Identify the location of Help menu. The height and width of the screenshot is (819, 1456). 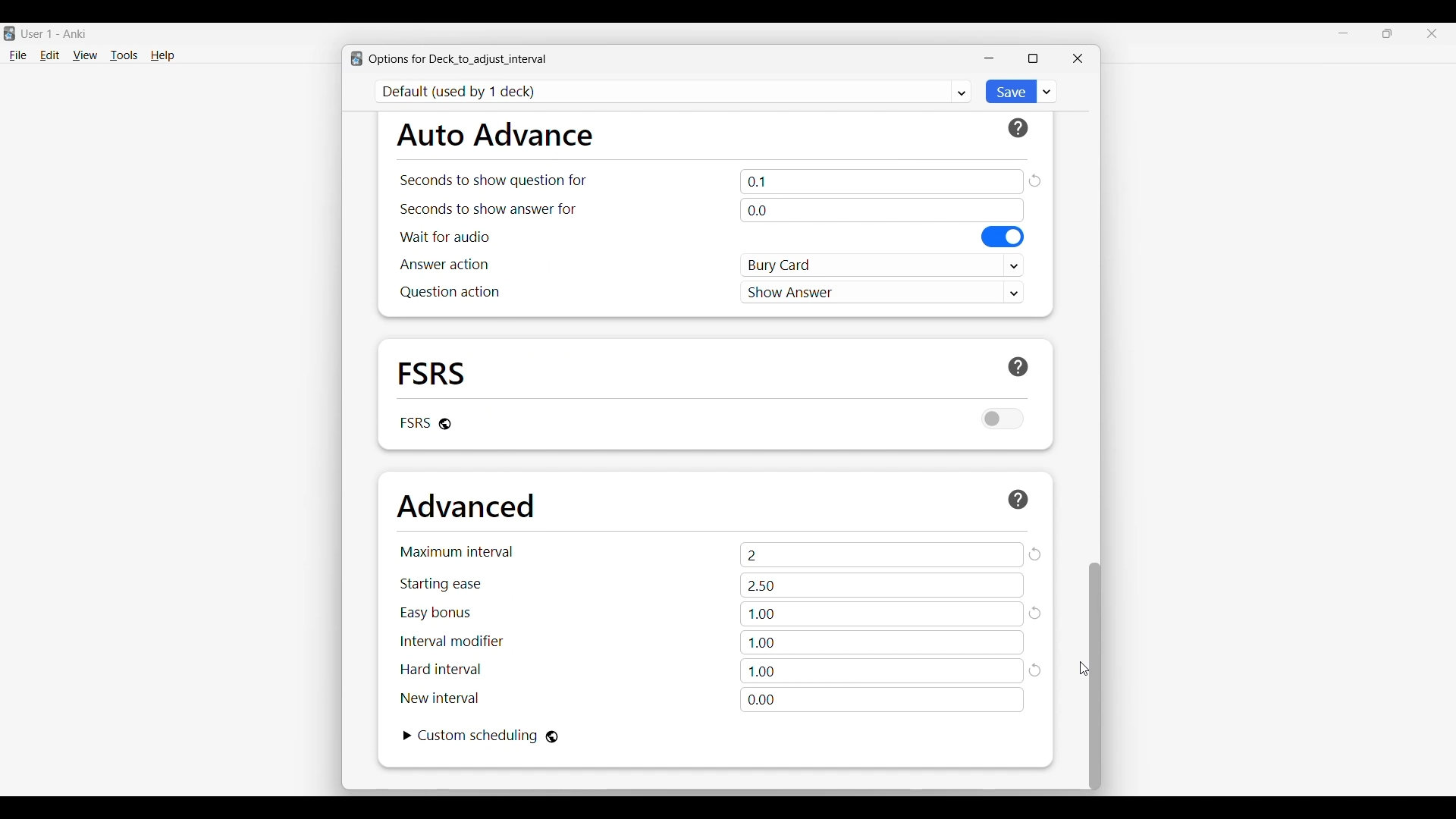
(162, 56).